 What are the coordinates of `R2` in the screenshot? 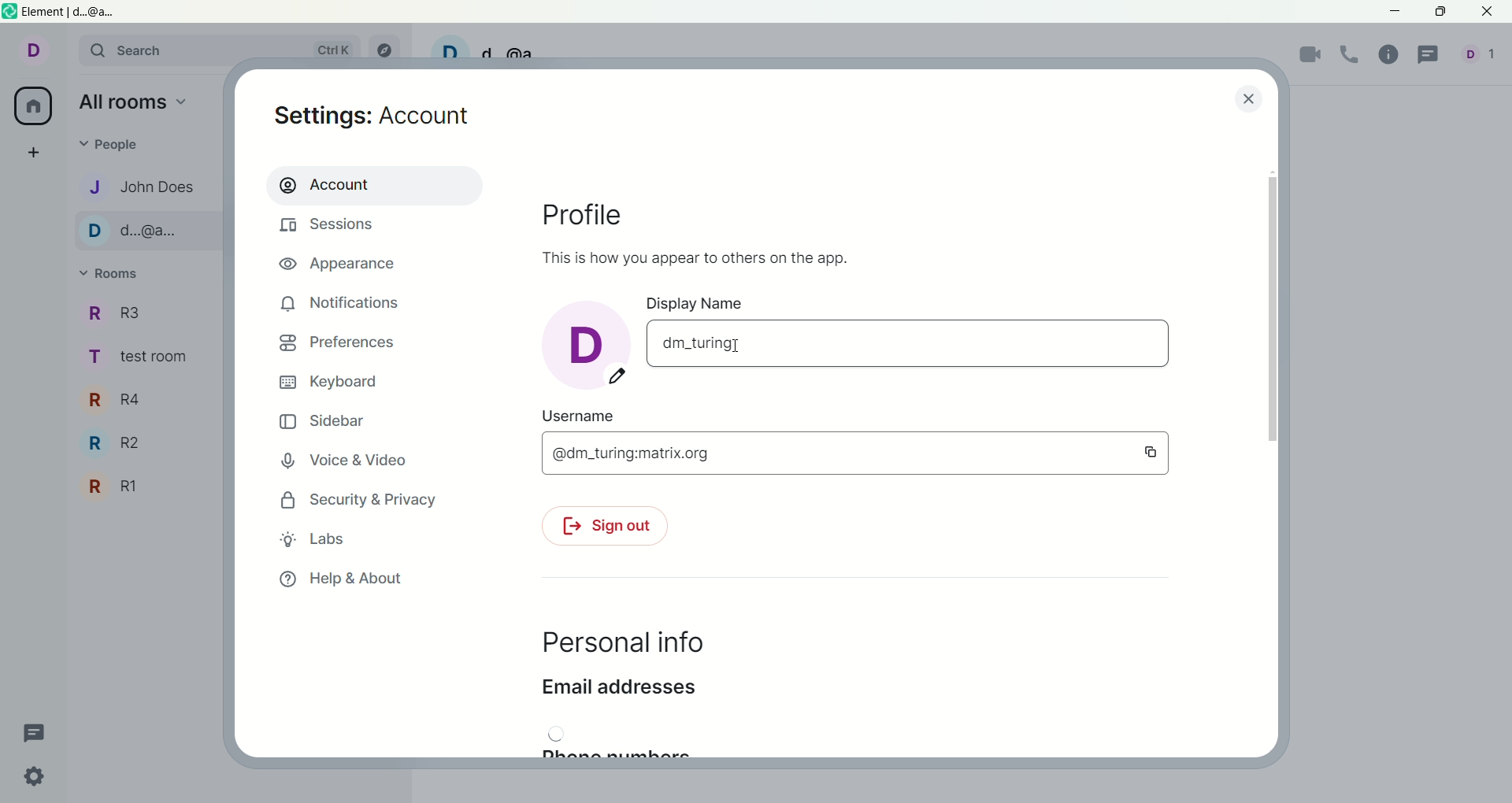 It's located at (122, 445).